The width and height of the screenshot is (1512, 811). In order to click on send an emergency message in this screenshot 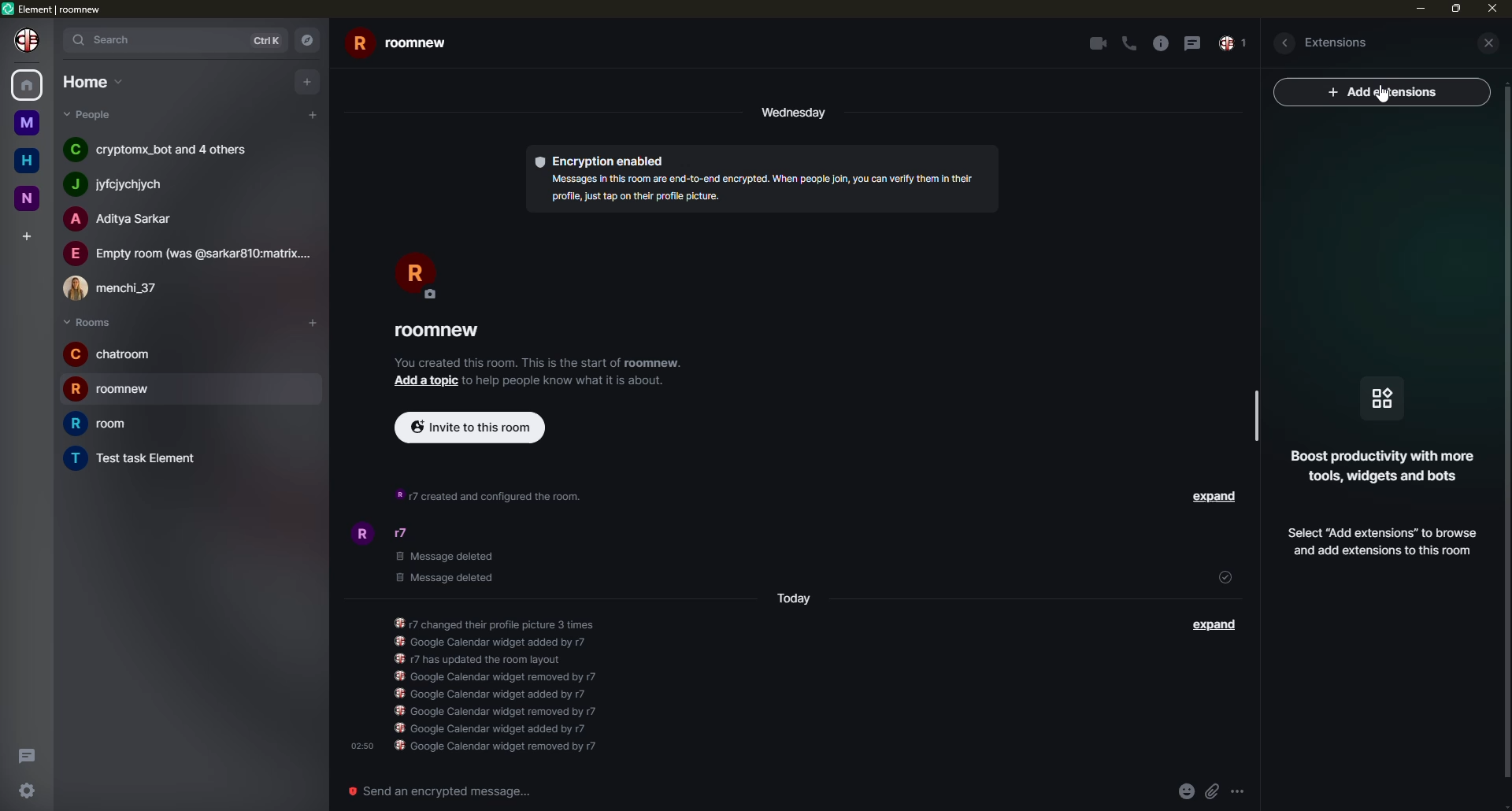, I will do `click(448, 792)`.